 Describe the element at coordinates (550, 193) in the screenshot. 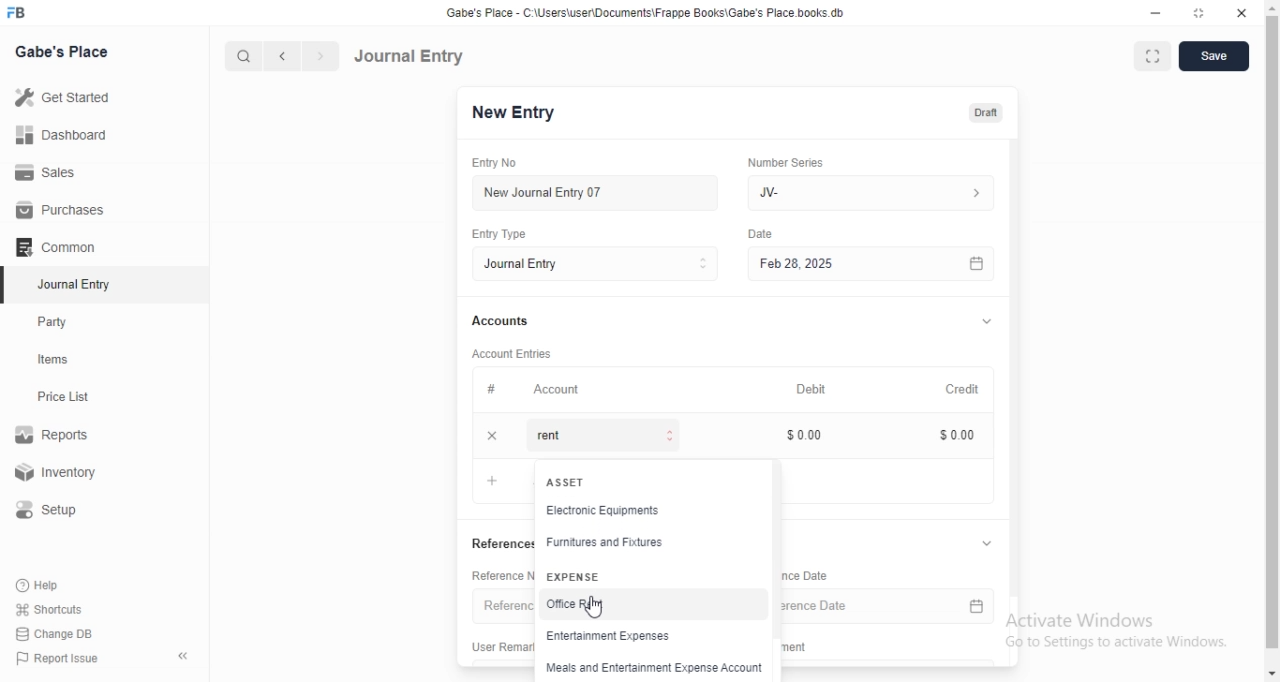

I see `New Journal Entry 07` at that location.